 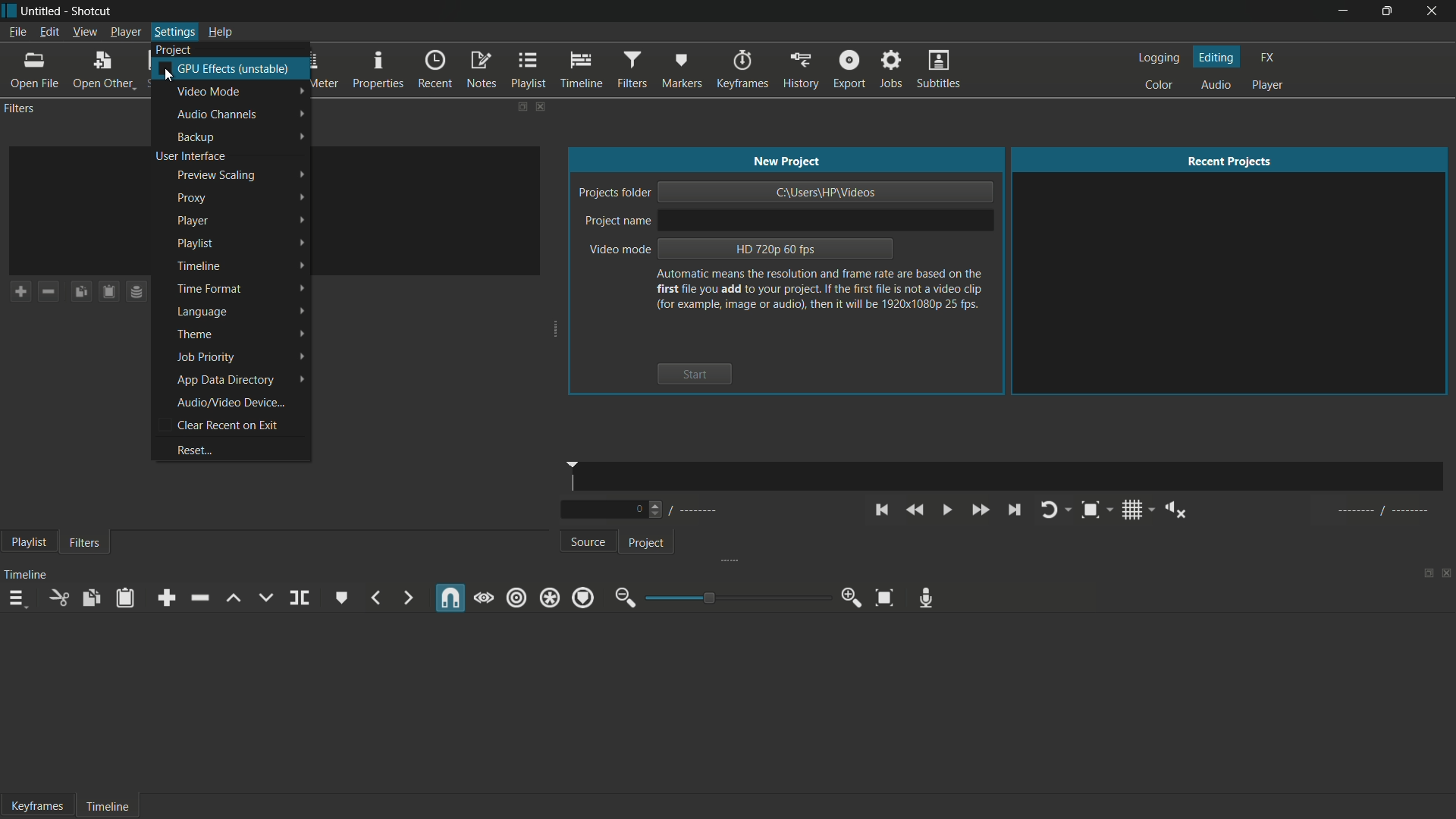 I want to click on maximize, so click(x=1385, y=11).